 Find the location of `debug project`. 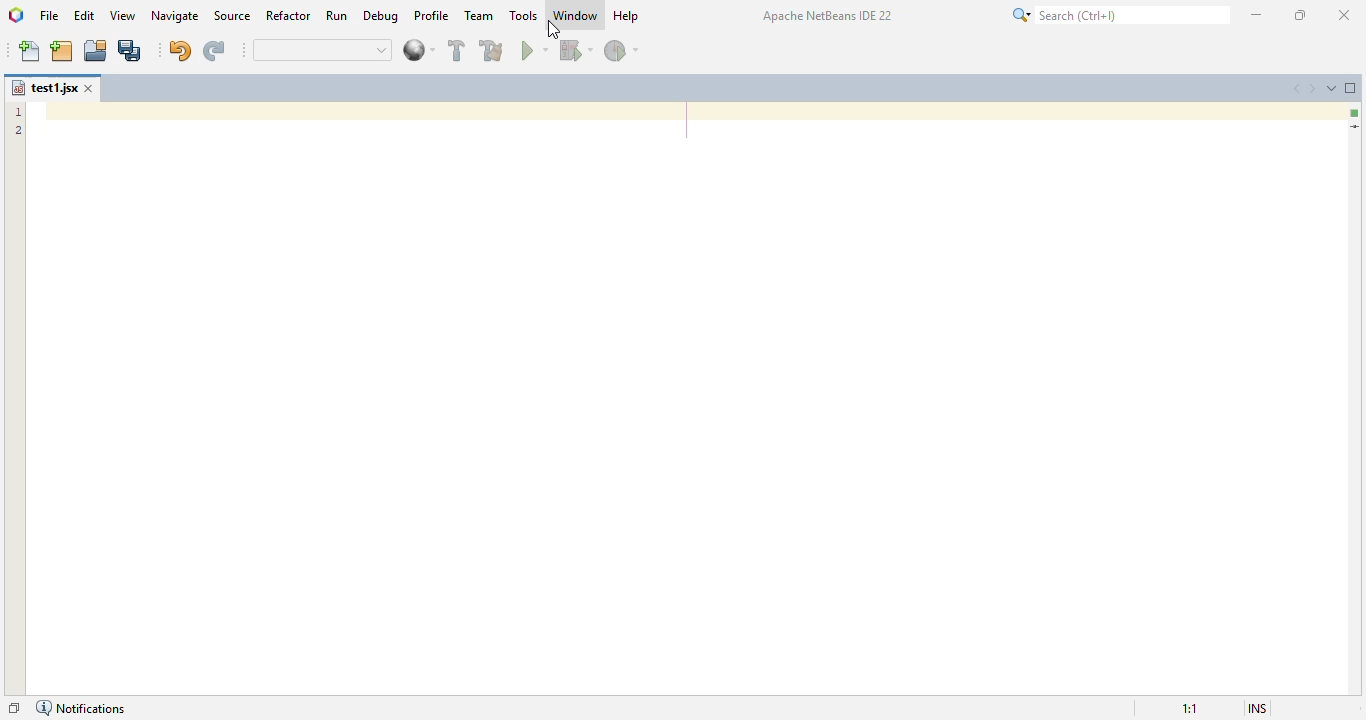

debug project is located at coordinates (577, 50).